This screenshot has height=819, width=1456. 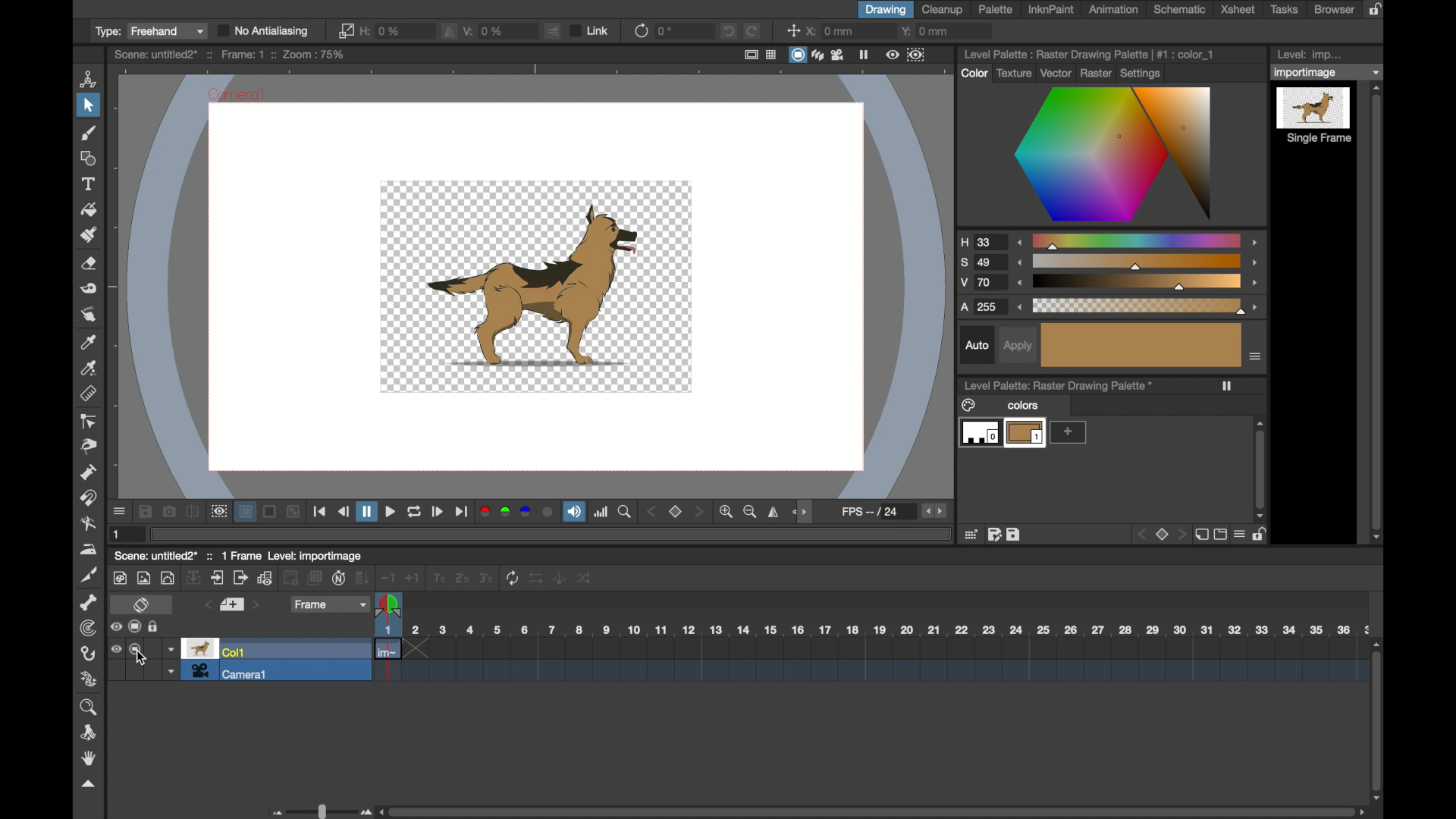 What do you see at coordinates (1378, 716) in the screenshot?
I see `scroll box` at bounding box center [1378, 716].